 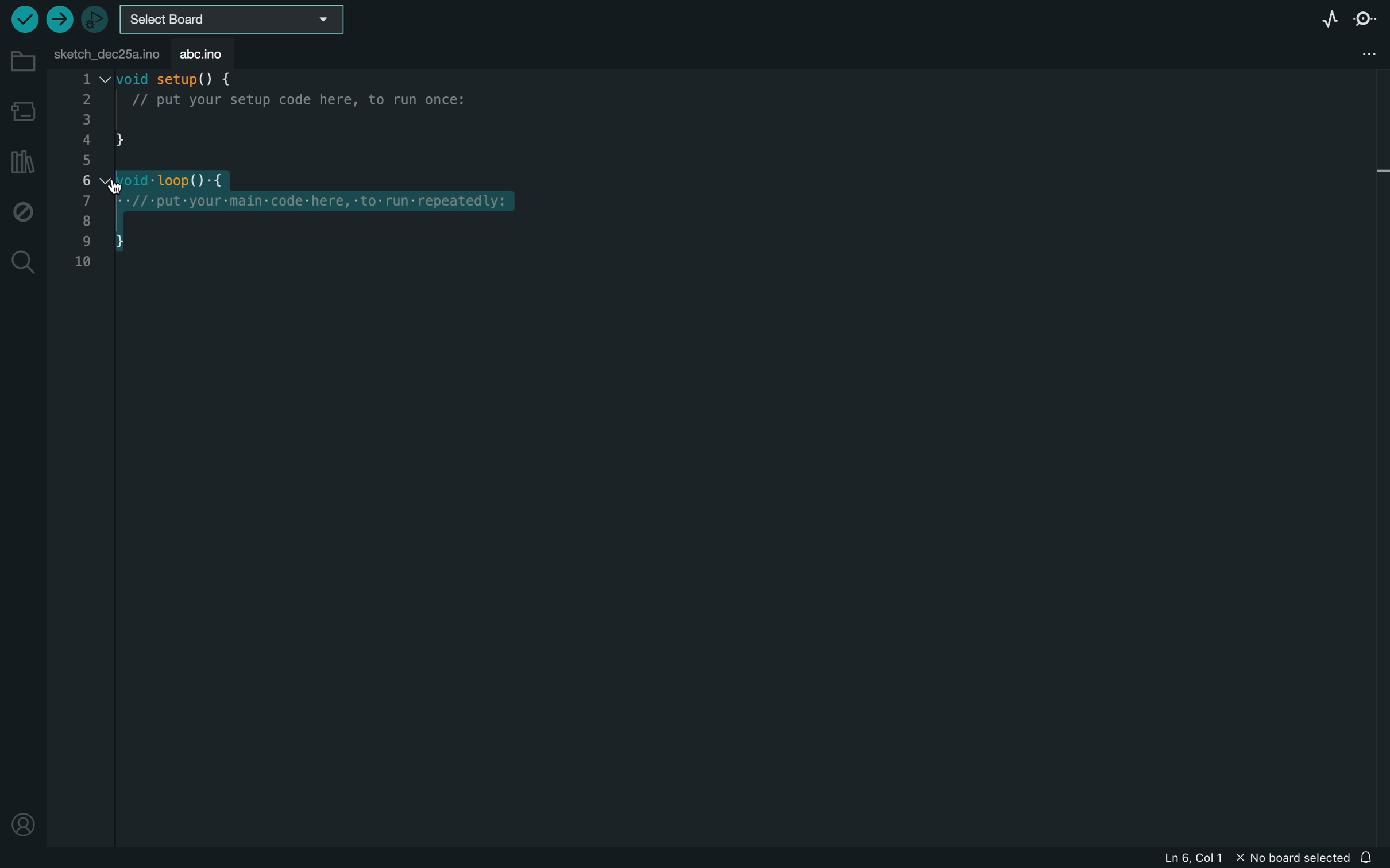 I want to click on folder, so click(x=20, y=61).